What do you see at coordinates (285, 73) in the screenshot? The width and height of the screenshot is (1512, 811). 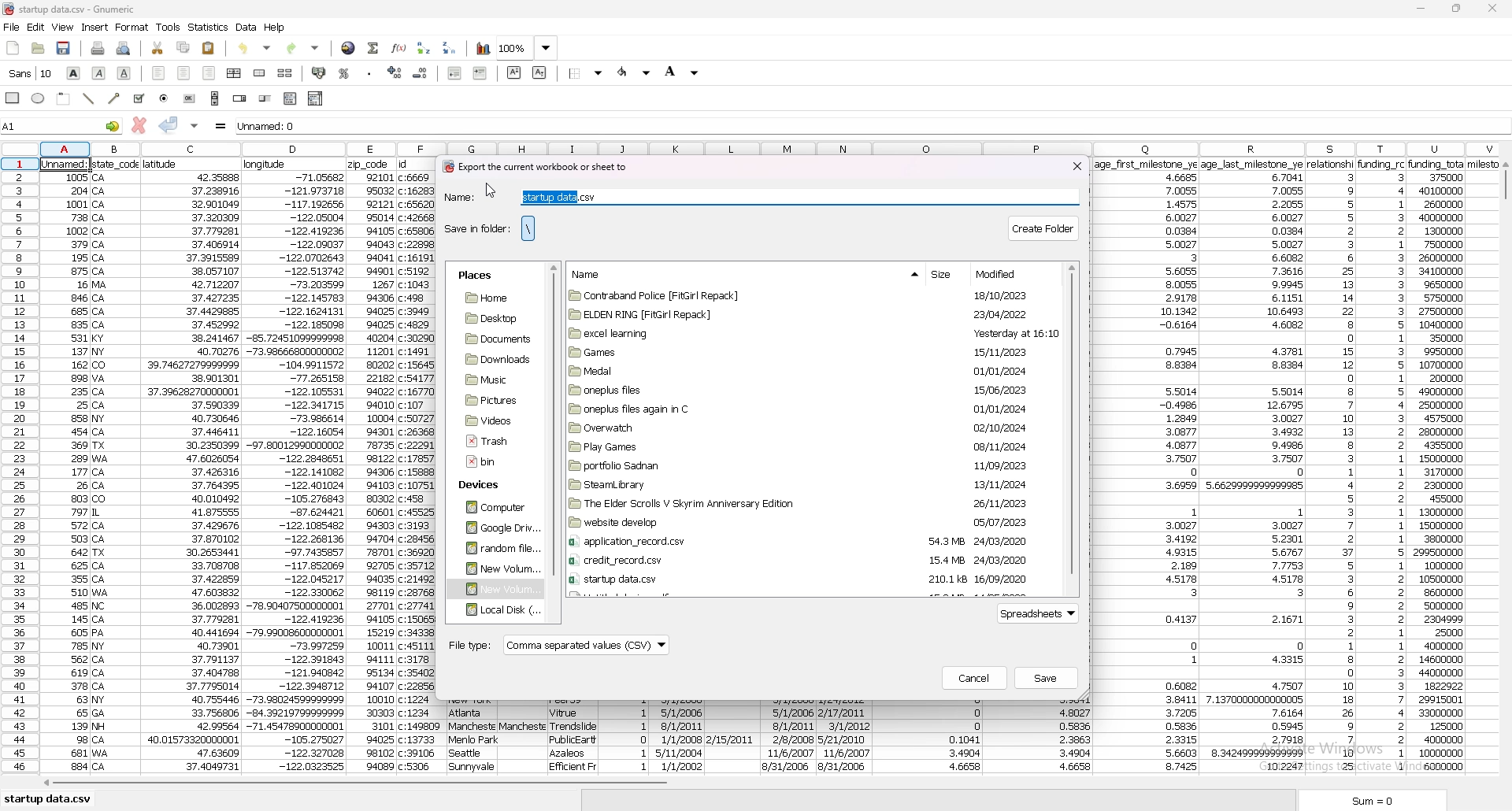 I see `split merged cells` at bounding box center [285, 73].